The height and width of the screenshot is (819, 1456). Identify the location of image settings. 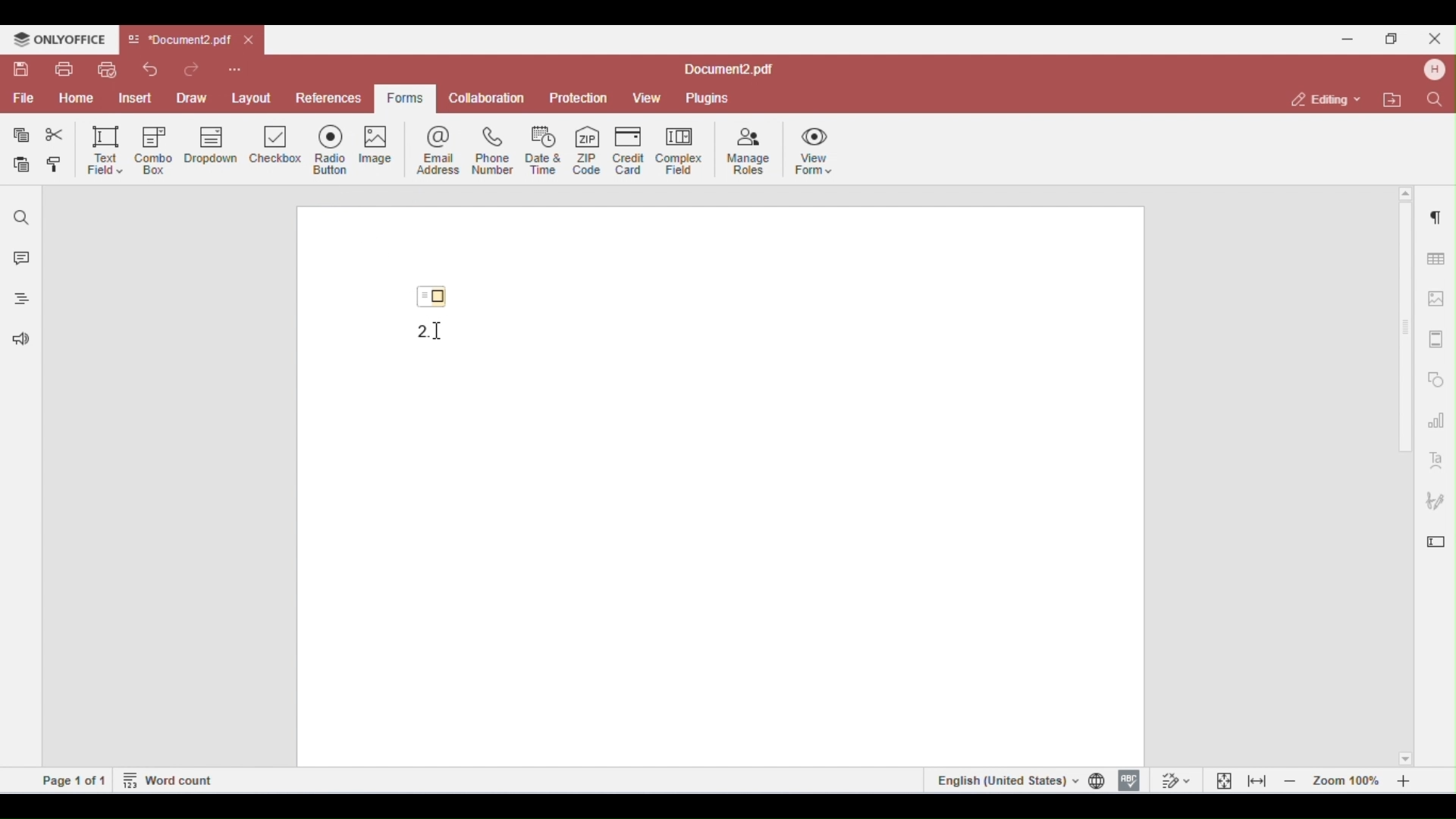
(1437, 299).